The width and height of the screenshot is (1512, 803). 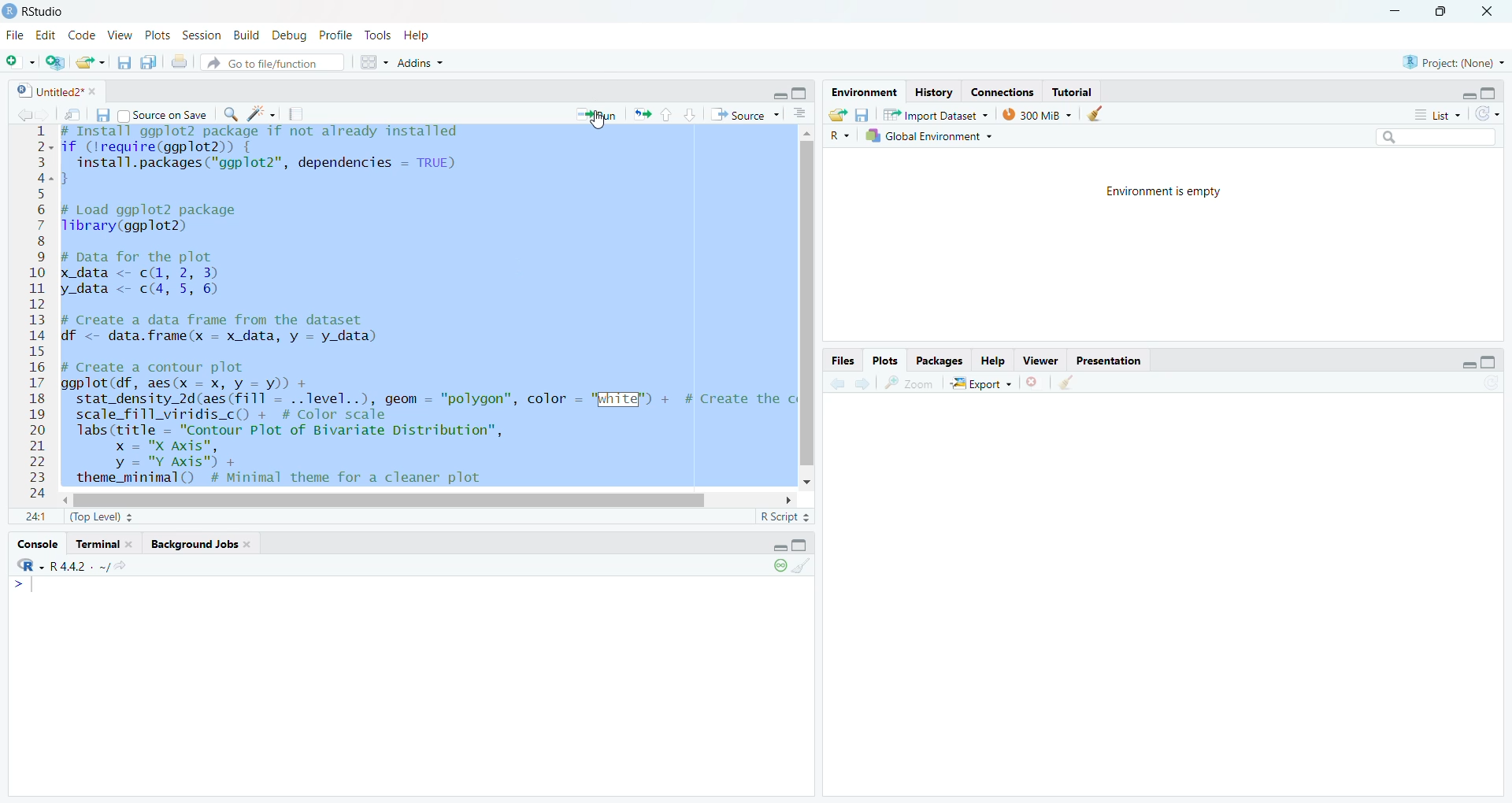 I want to click on 300 MB , so click(x=1039, y=114).